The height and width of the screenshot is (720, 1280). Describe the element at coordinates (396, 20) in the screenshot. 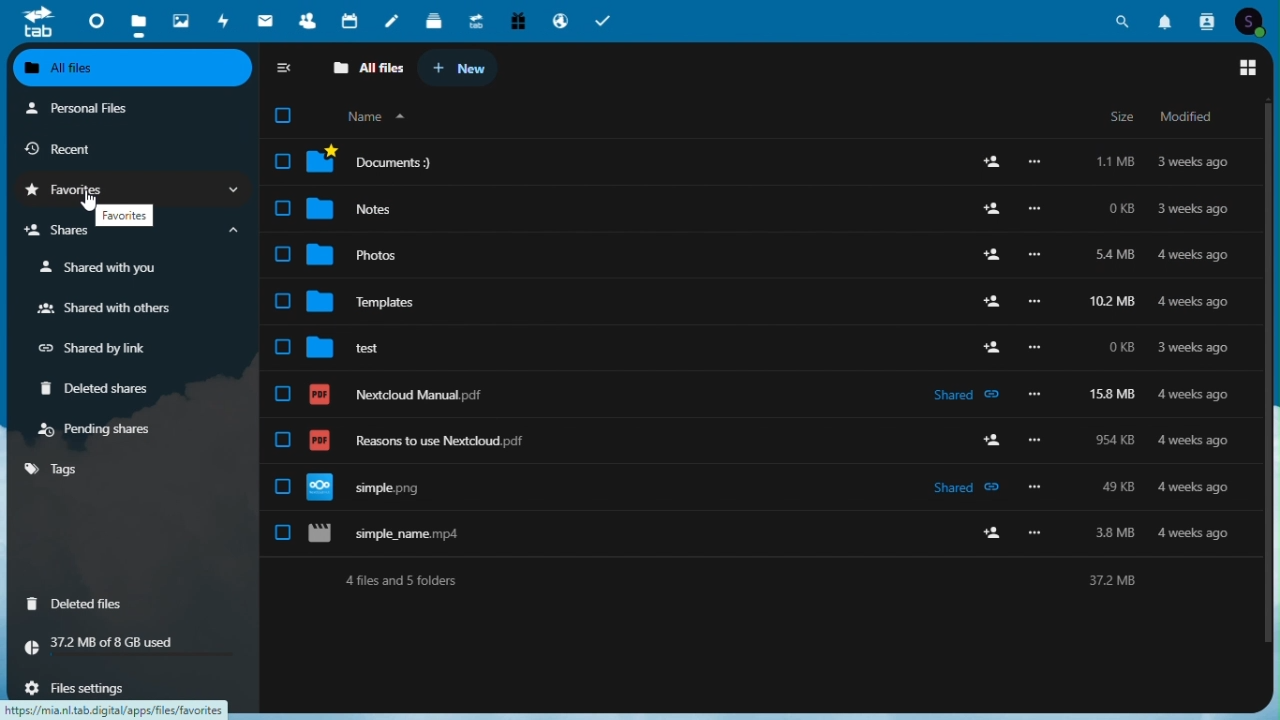

I see `notes` at that location.